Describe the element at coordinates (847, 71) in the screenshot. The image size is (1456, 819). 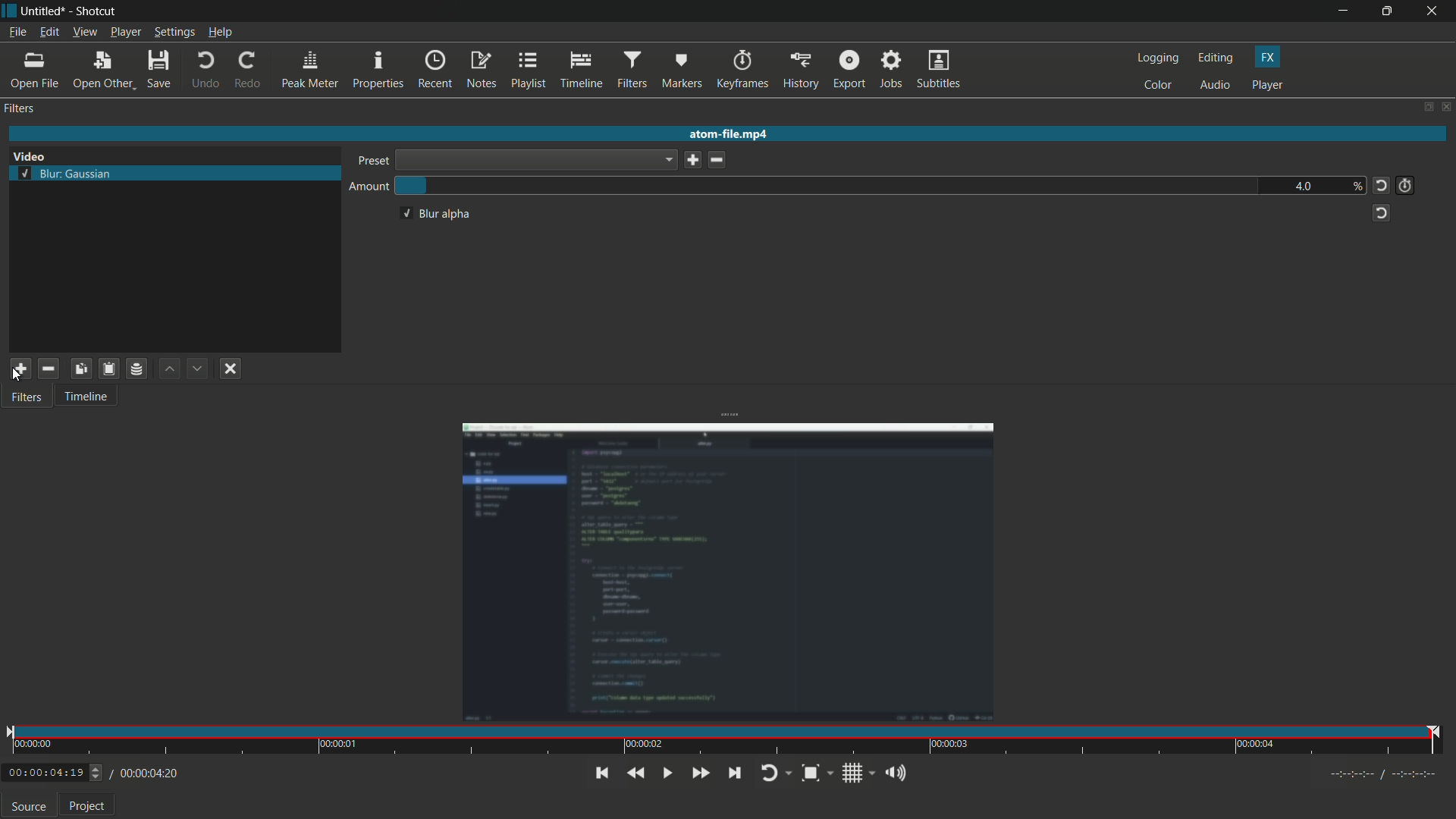
I see `export` at that location.